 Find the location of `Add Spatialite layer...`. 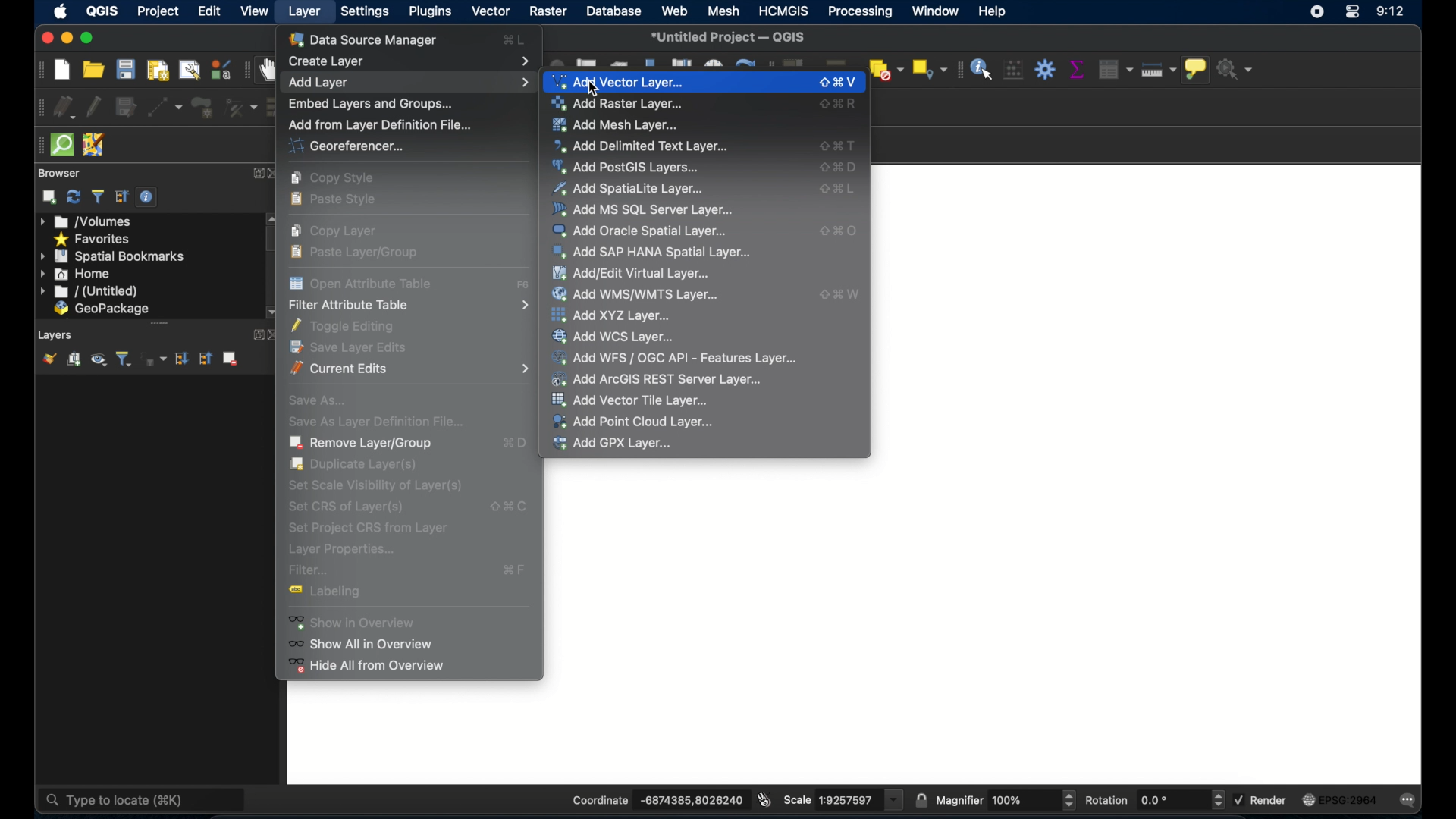

Add Spatialite layer... is located at coordinates (706, 188).